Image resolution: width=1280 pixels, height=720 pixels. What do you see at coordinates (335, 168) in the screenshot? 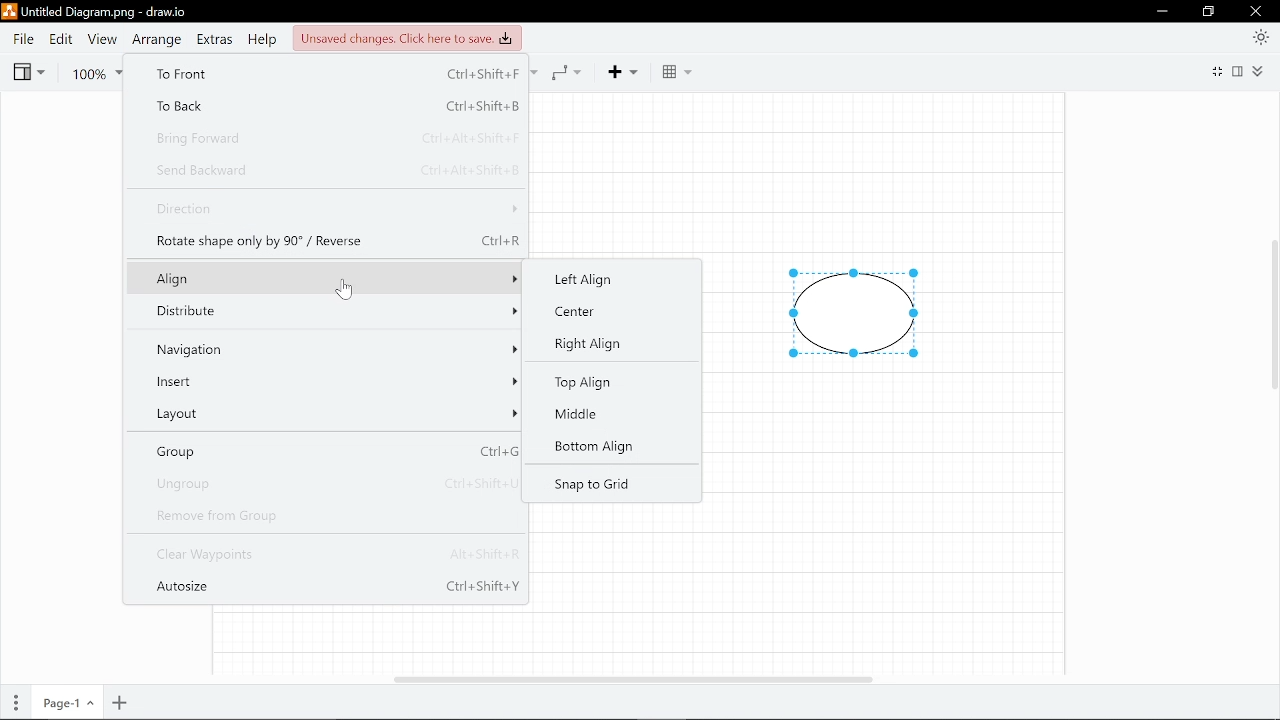
I see `Send Backward` at bounding box center [335, 168].